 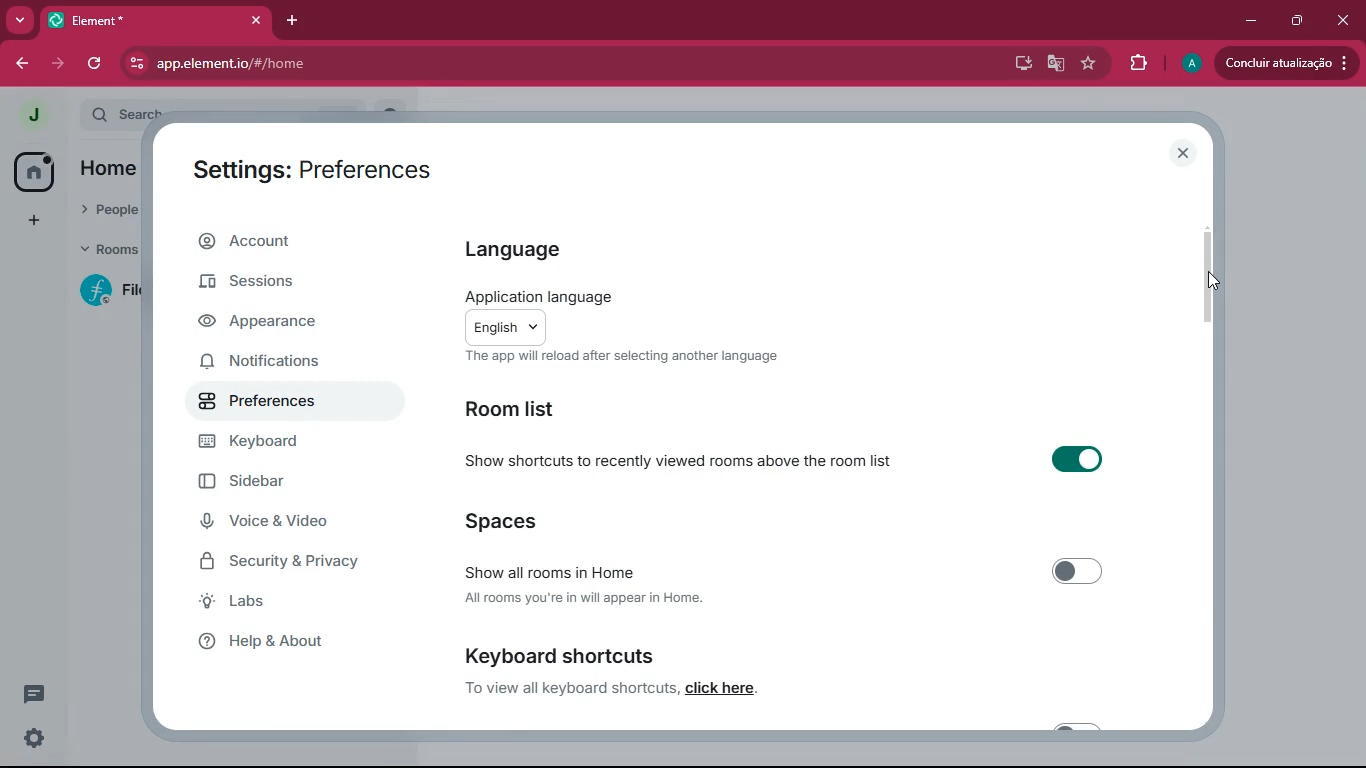 I want to click on Search, so click(x=253, y=111).